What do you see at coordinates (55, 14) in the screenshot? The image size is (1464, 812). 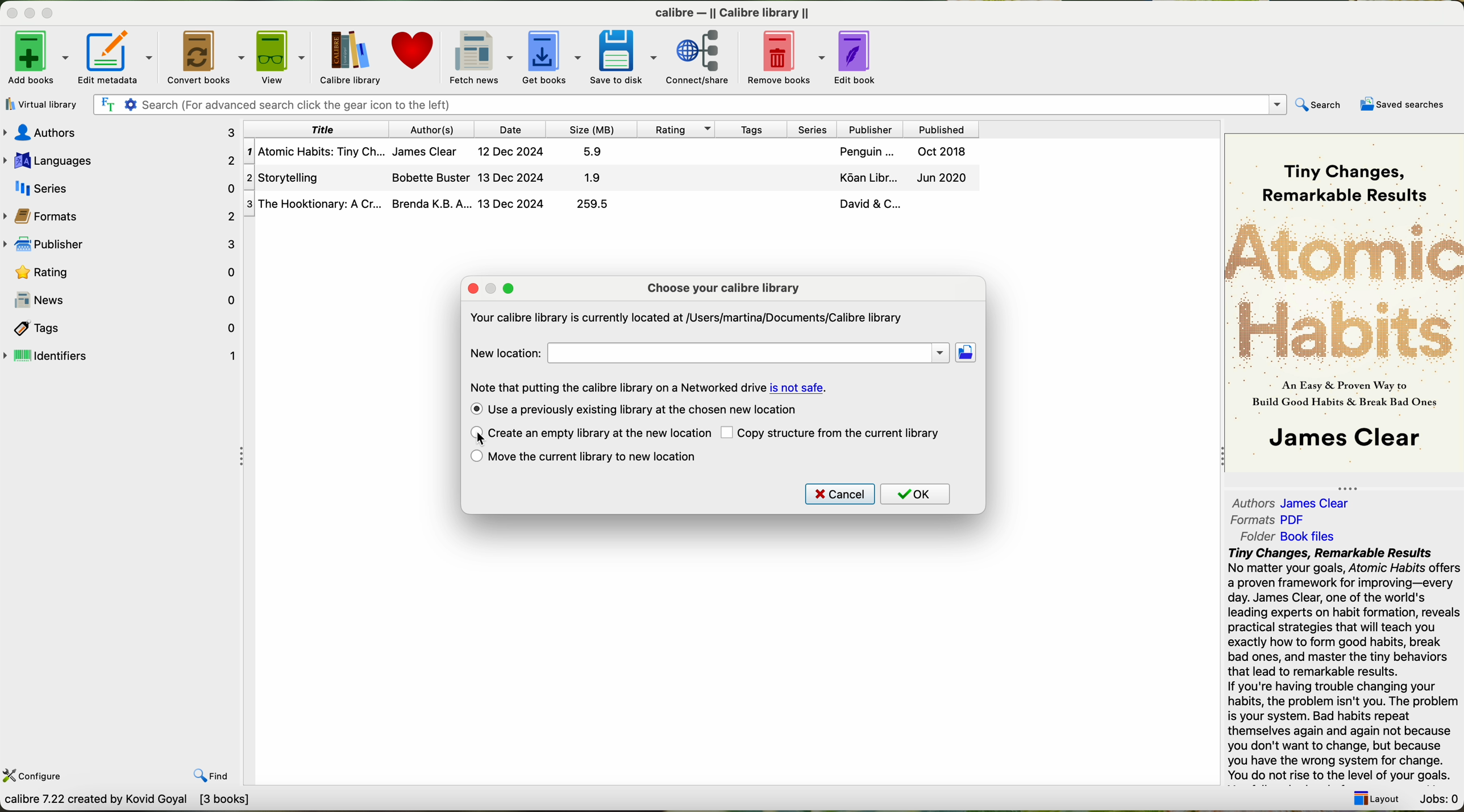 I see `maximize program` at bounding box center [55, 14].